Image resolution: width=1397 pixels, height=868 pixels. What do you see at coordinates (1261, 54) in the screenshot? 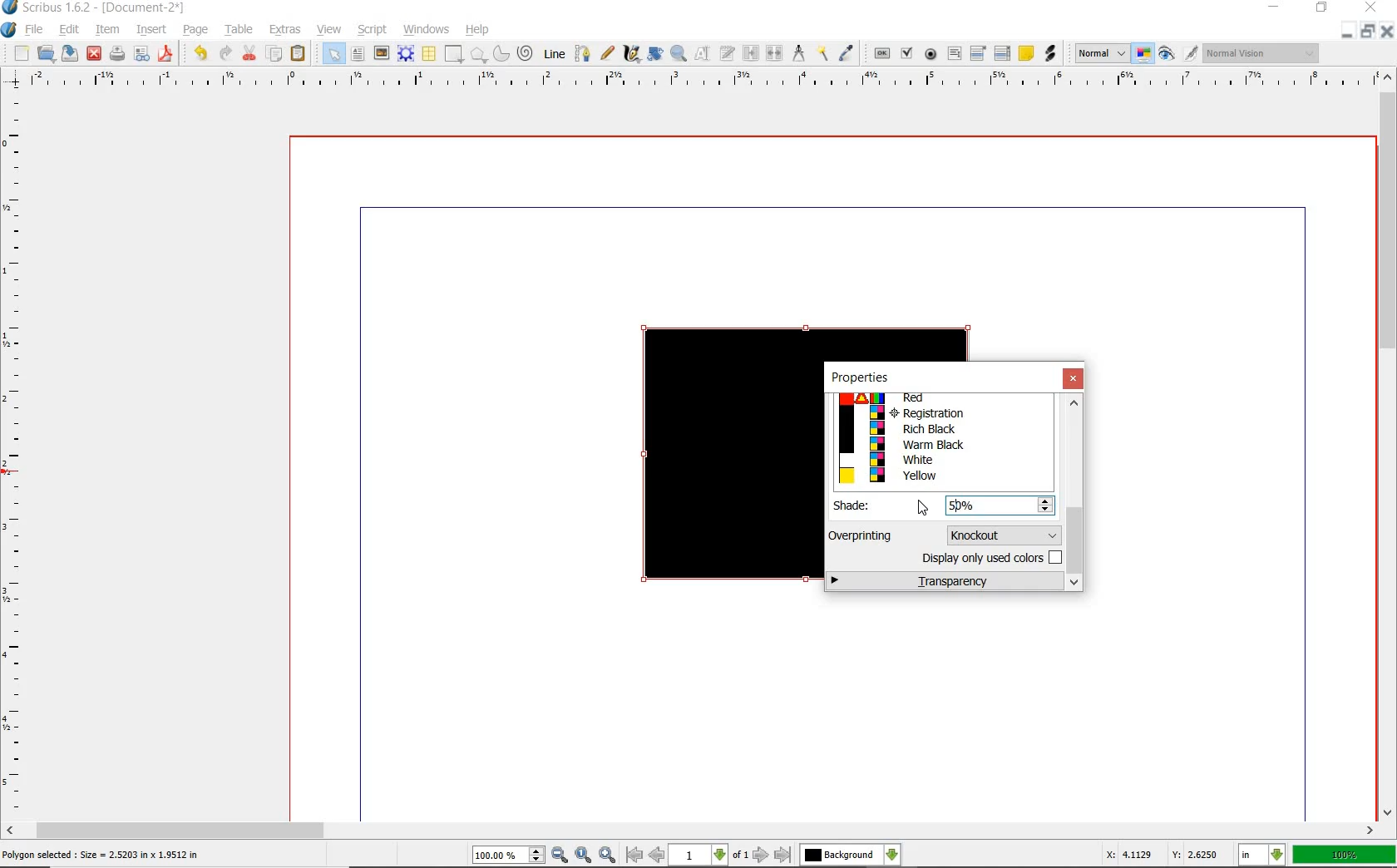
I see `Visual appearance of the display` at bounding box center [1261, 54].